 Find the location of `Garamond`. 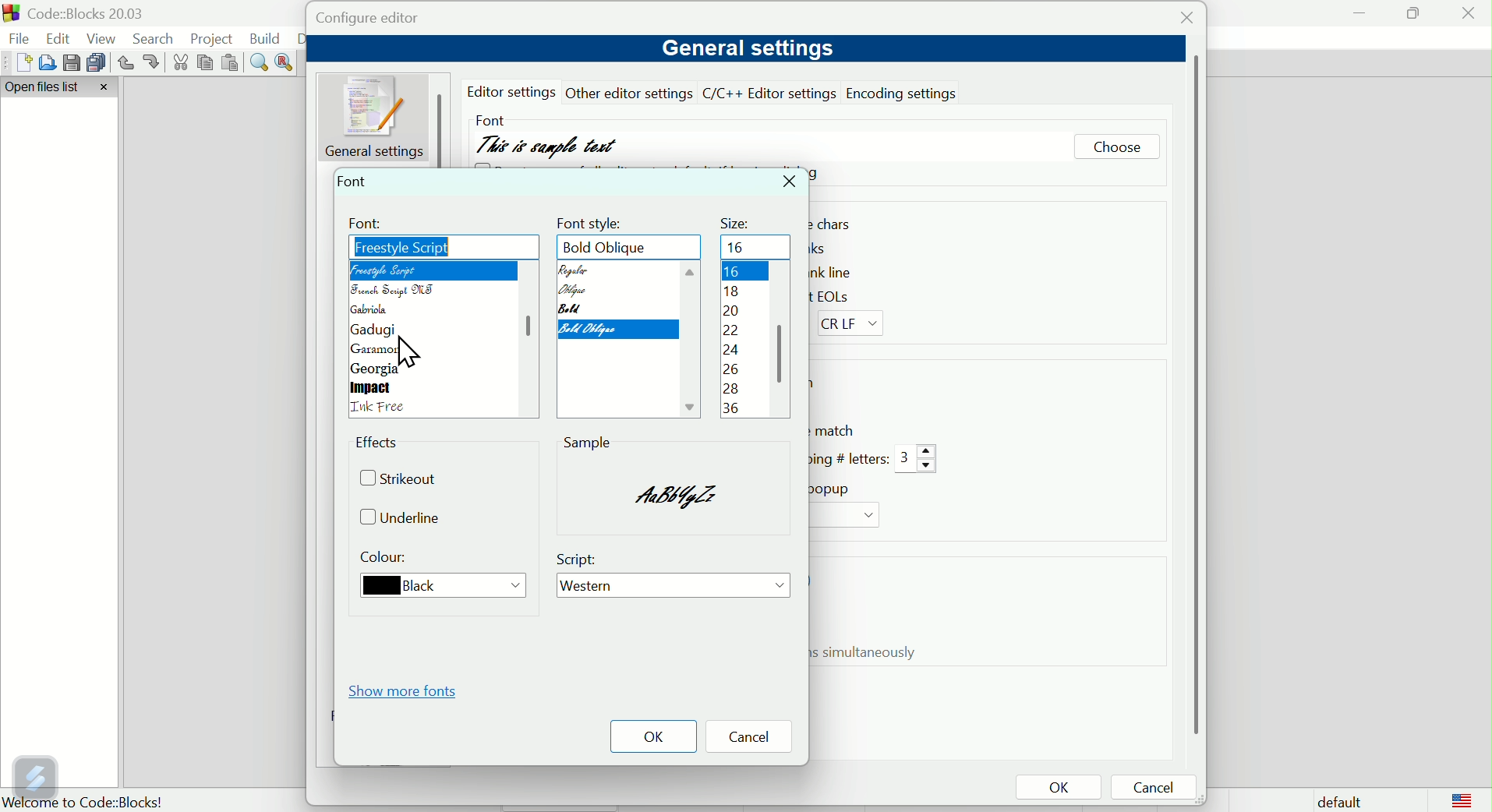

Garamond is located at coordinates (383, 351).